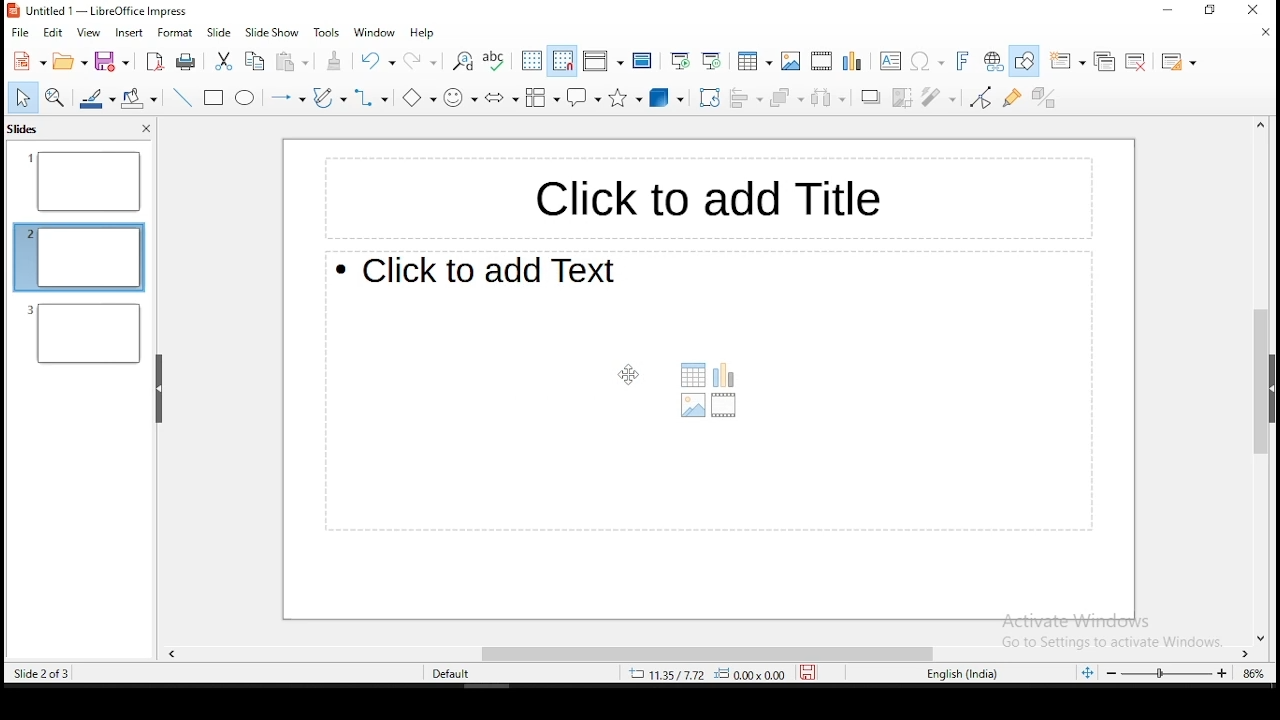 This screenshot has height=720, width=1280. I want to click on icon and file name, so click(97, 12).